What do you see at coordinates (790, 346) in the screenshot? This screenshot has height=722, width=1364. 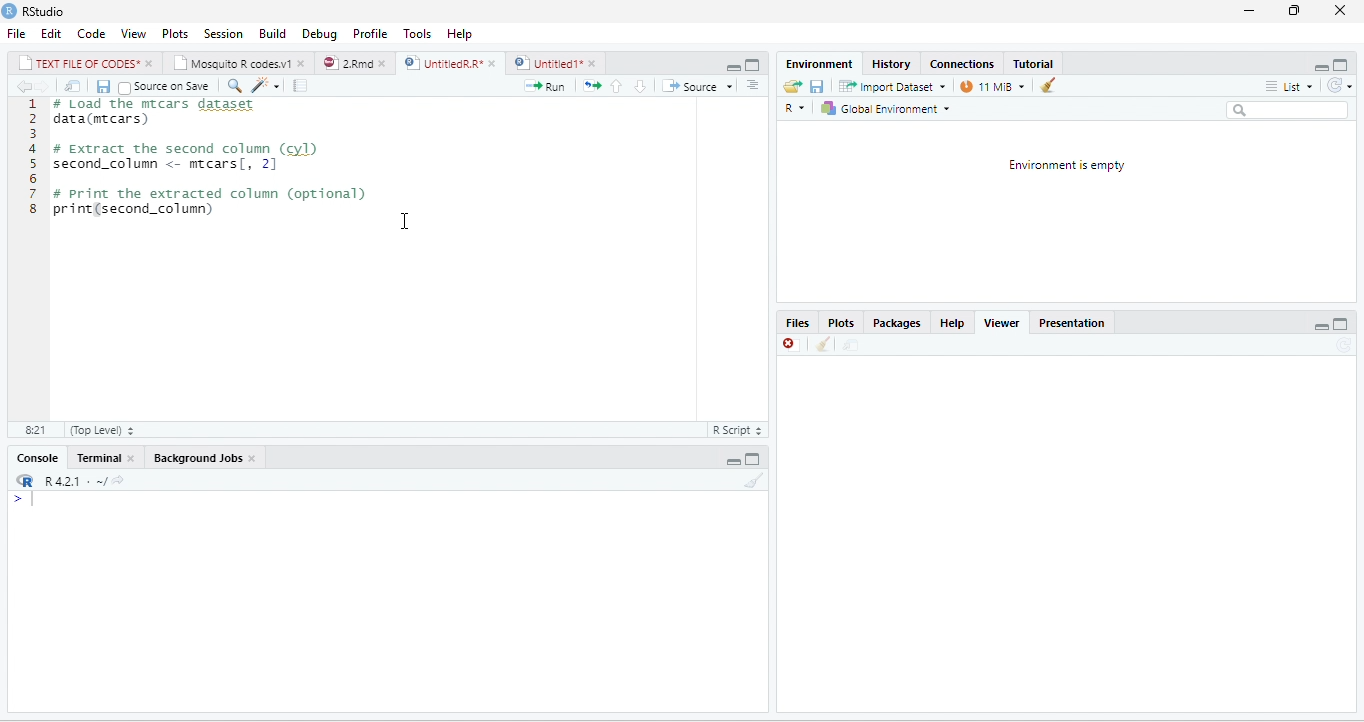 I see `close` at bounding box center [790, 346].